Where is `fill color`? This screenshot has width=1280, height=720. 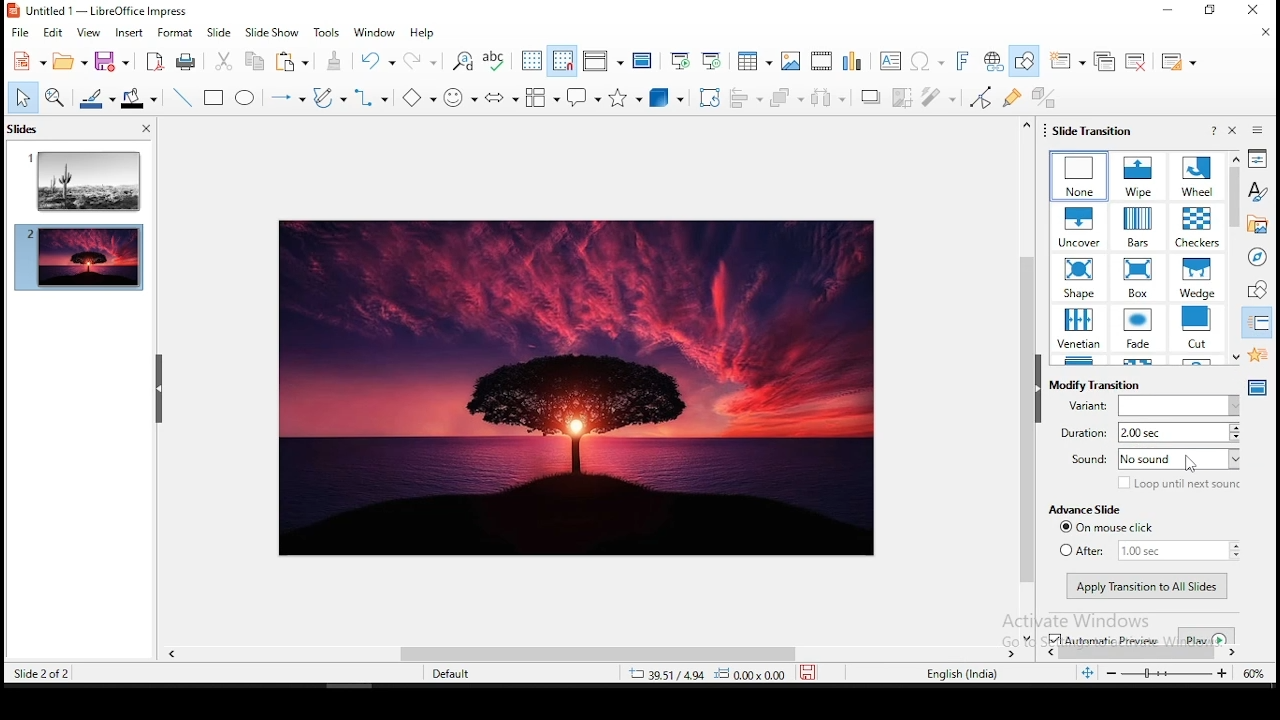
fill color is located at coordinates (141, 97).